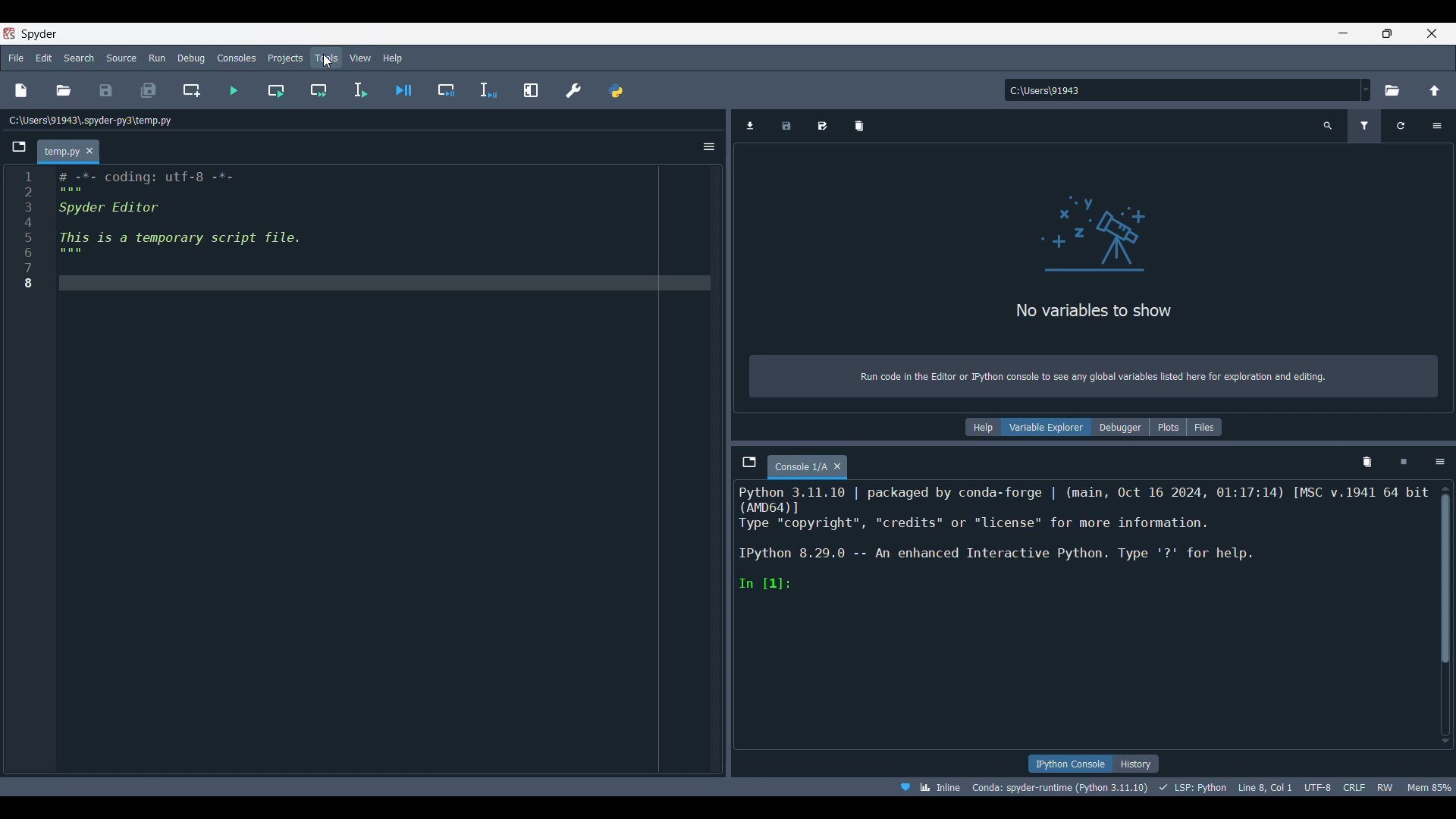 Image resolution: width=1456 pixels, height=819 pixels. I want to click on Description of current code, so click(1083, 538).